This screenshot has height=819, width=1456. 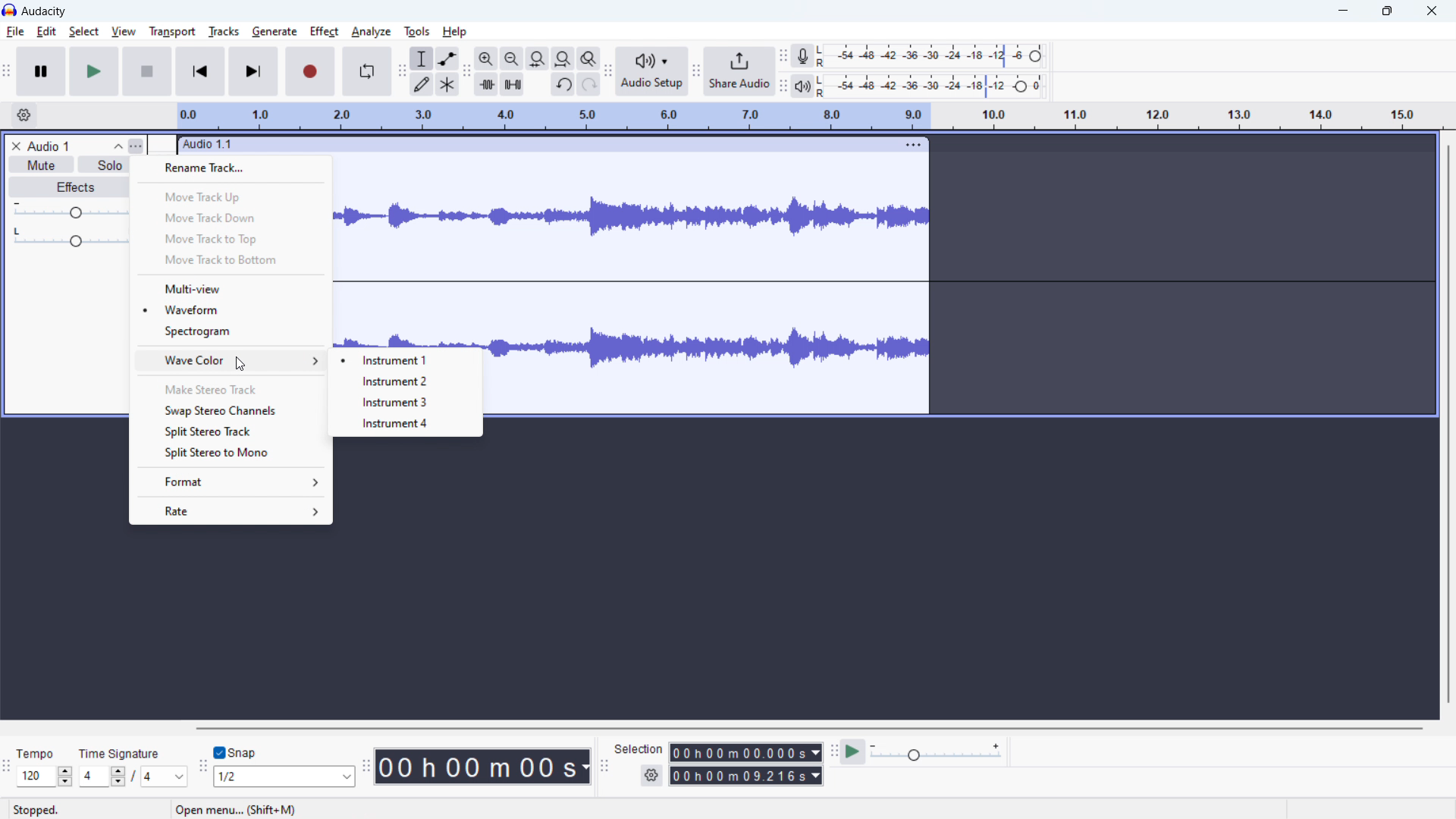 I want to click on select, so click(x=83, y=32).